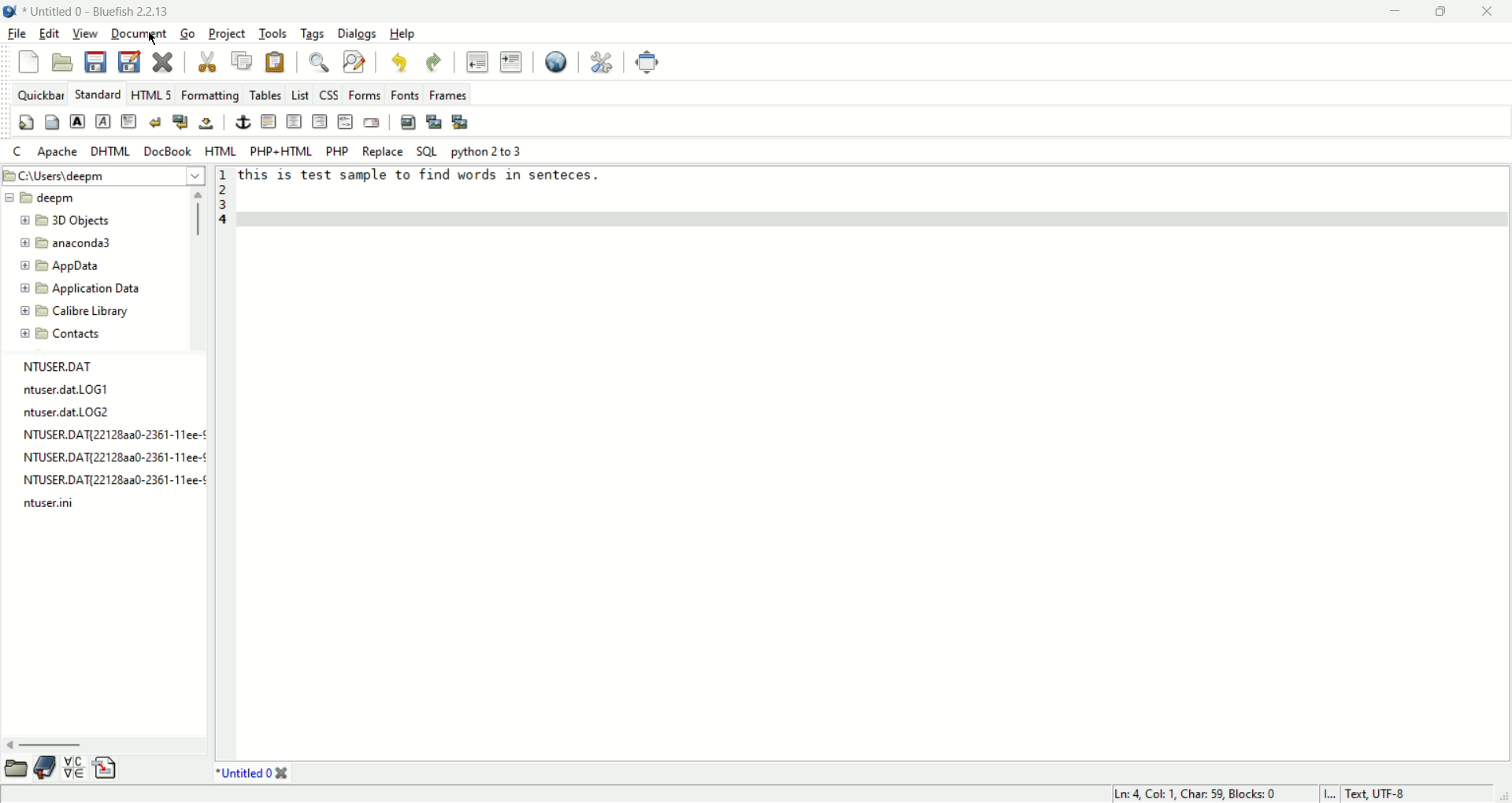 Image resolution: width=1512 pixels, height=803 pixels. Describe the element at coordinates (265, 94) in the screenshot. I see `tables` at that location.